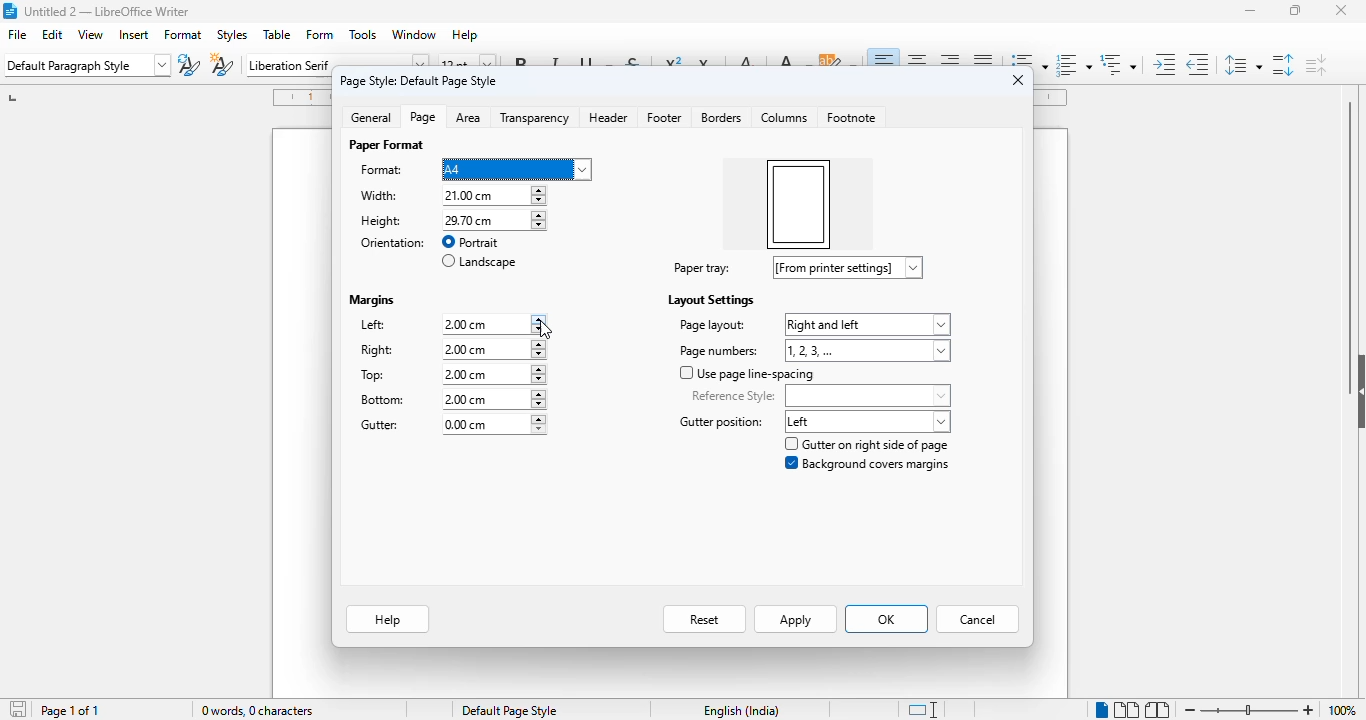  I want to click on font name, so click(289, 66).